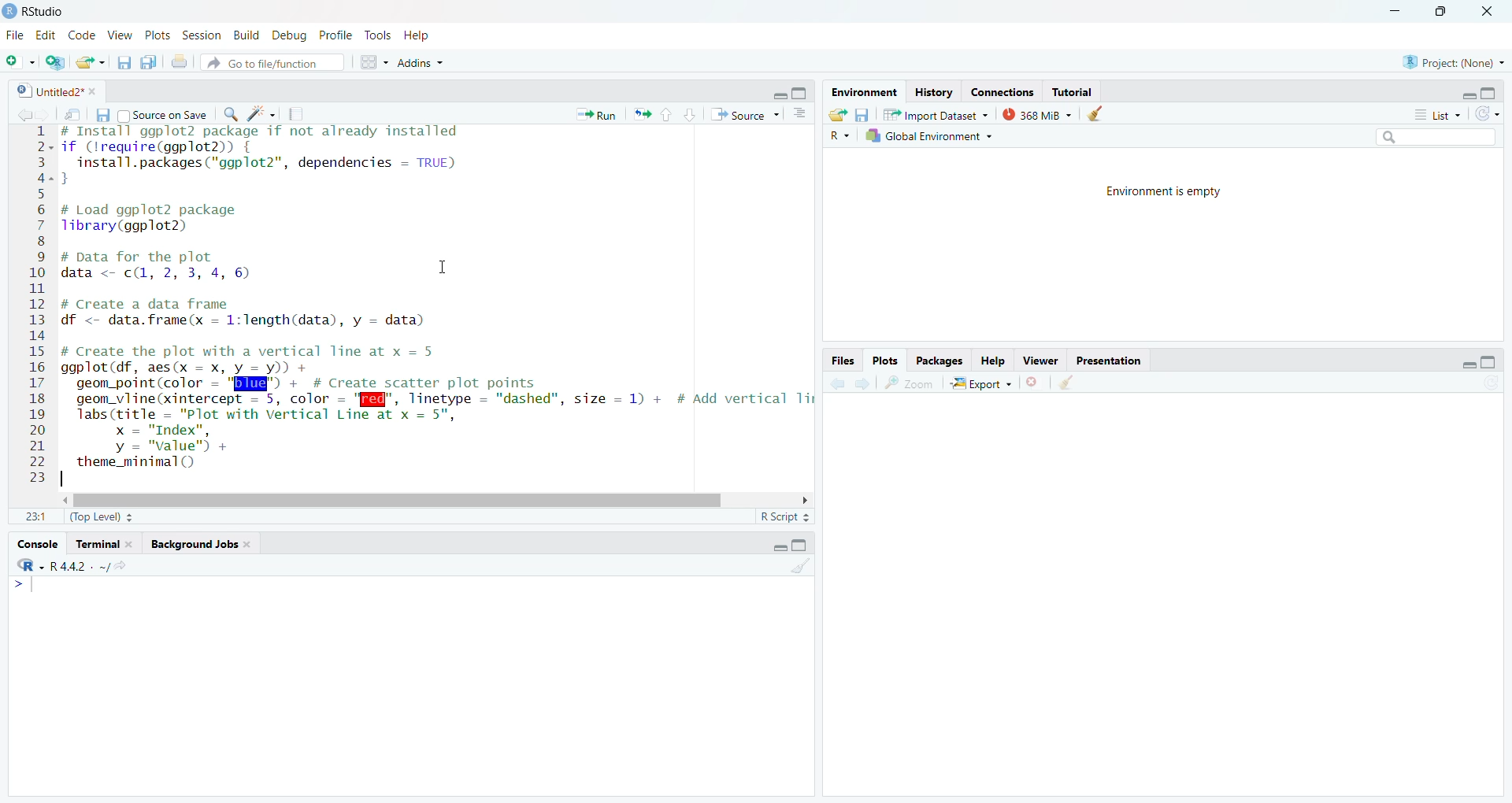  I want to click on back, so click(836, 383).